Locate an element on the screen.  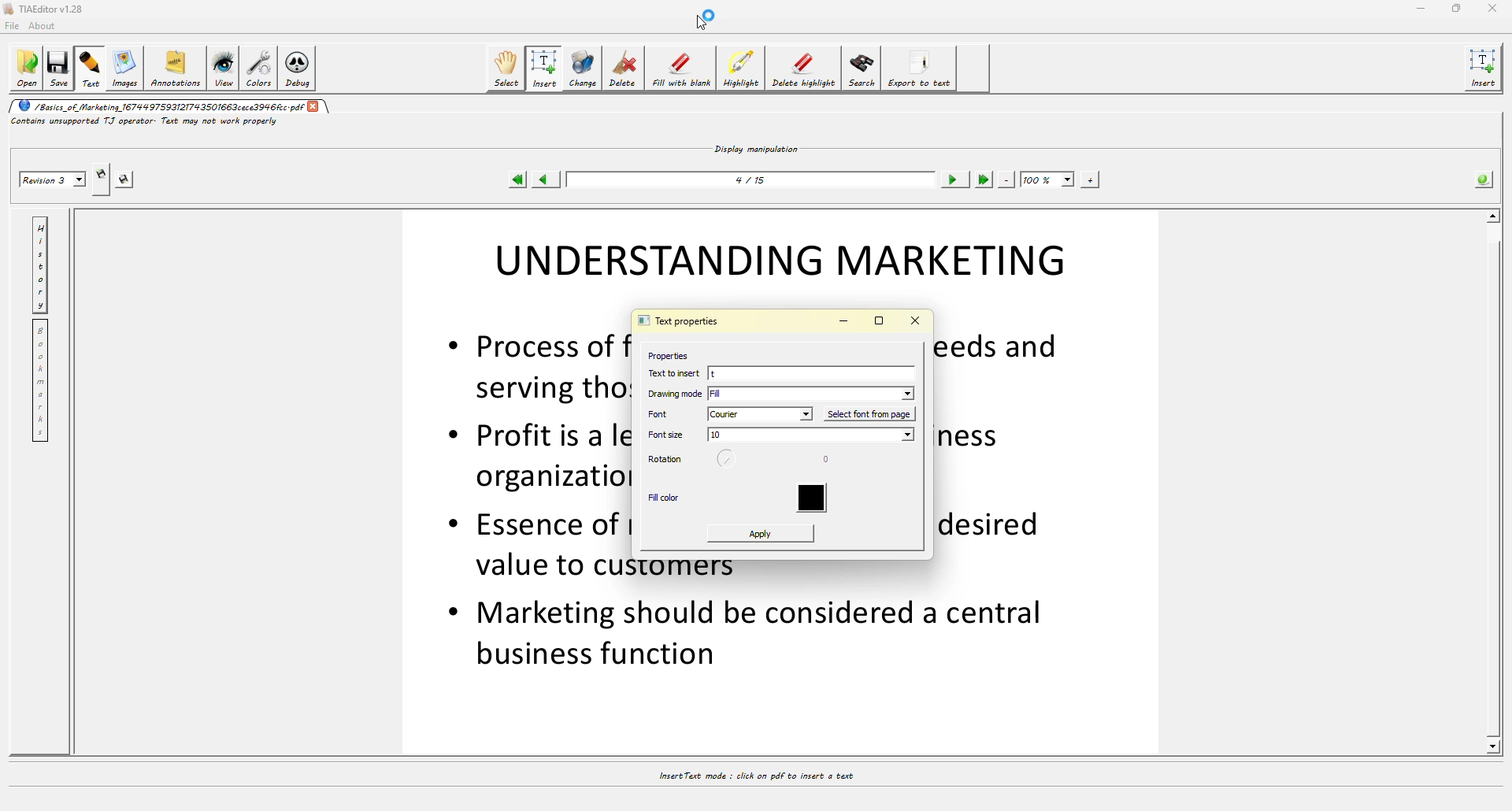
font size is located at coordinates (668, 435).